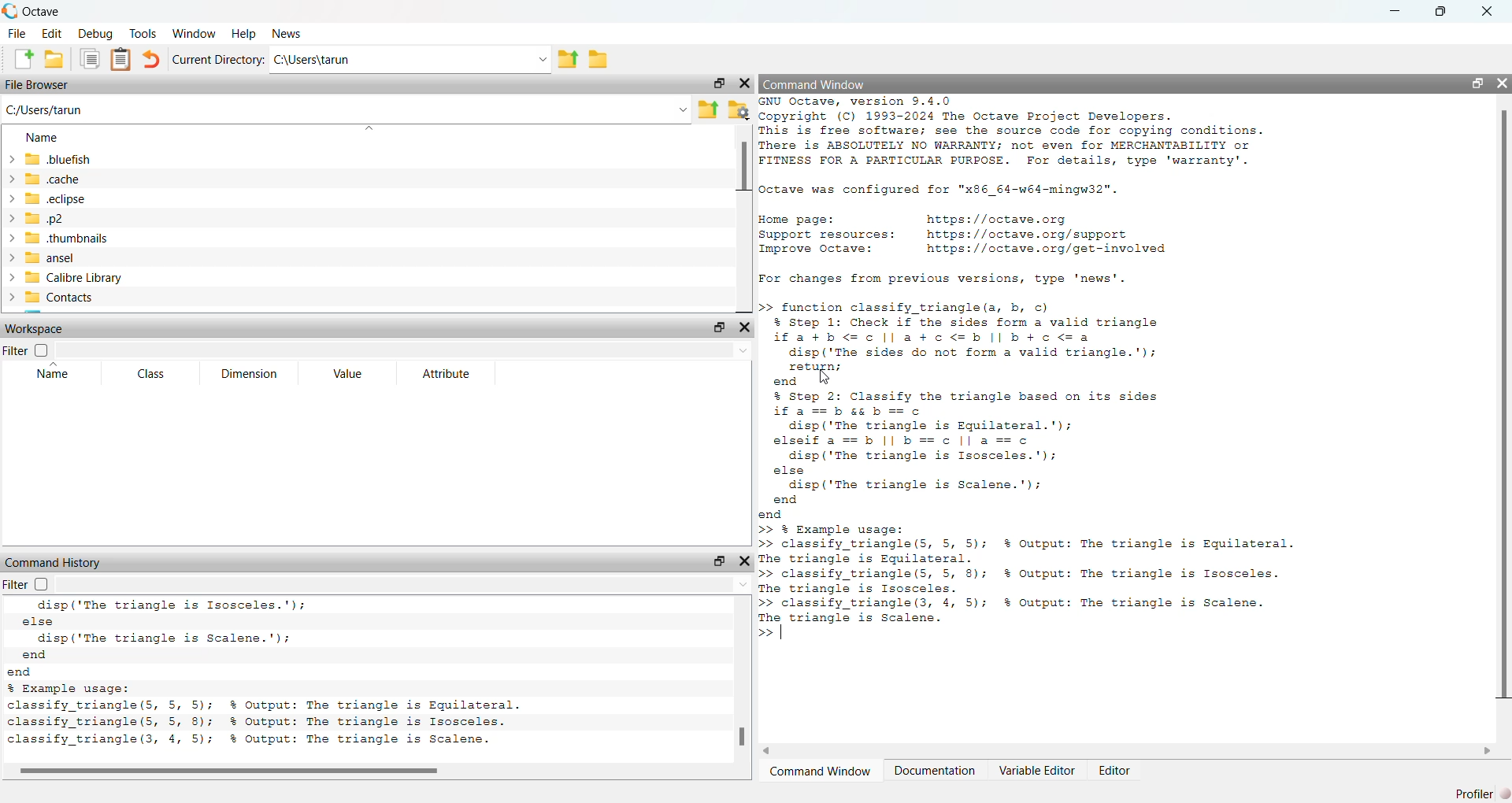 The height and width of the screenshot is (803, 1512). What do you see at coordinates (89, 61) in the screenshot?
I see `copy` at bounding box center [89, 61].